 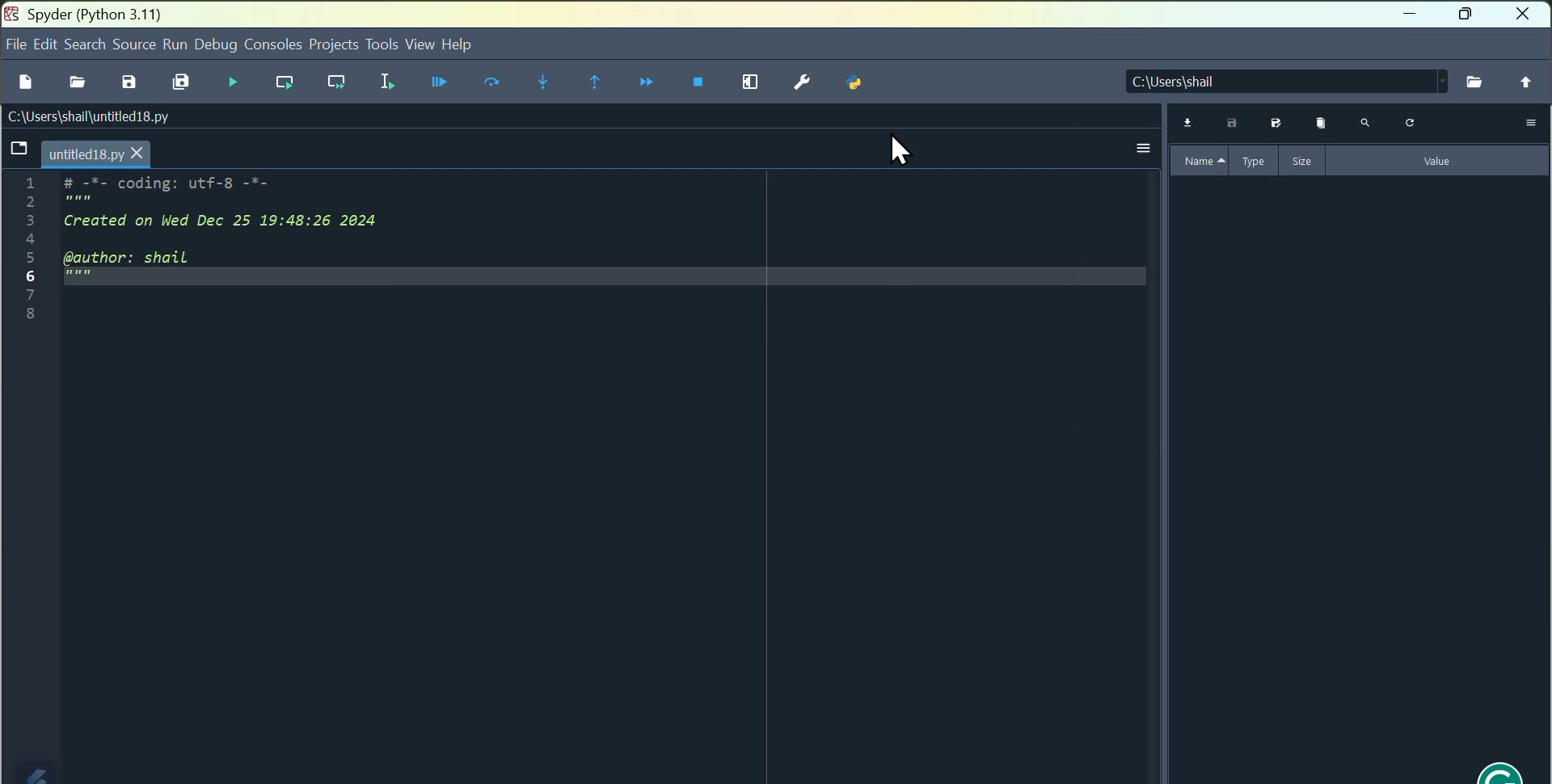 I want to click on Run current line, so click(x=493, y=82).